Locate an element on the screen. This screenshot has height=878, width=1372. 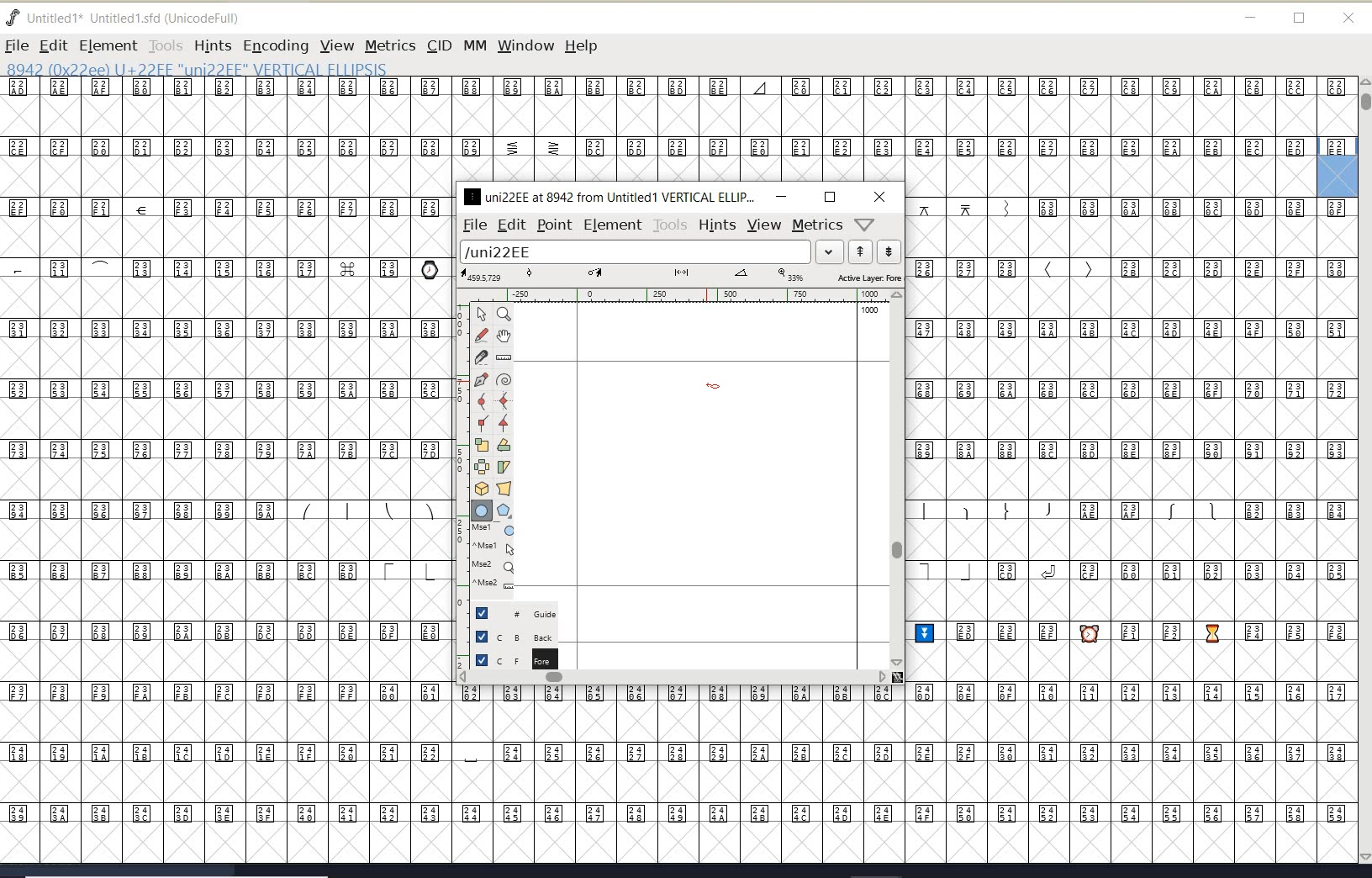
close is located at coordinates (1348, 19).